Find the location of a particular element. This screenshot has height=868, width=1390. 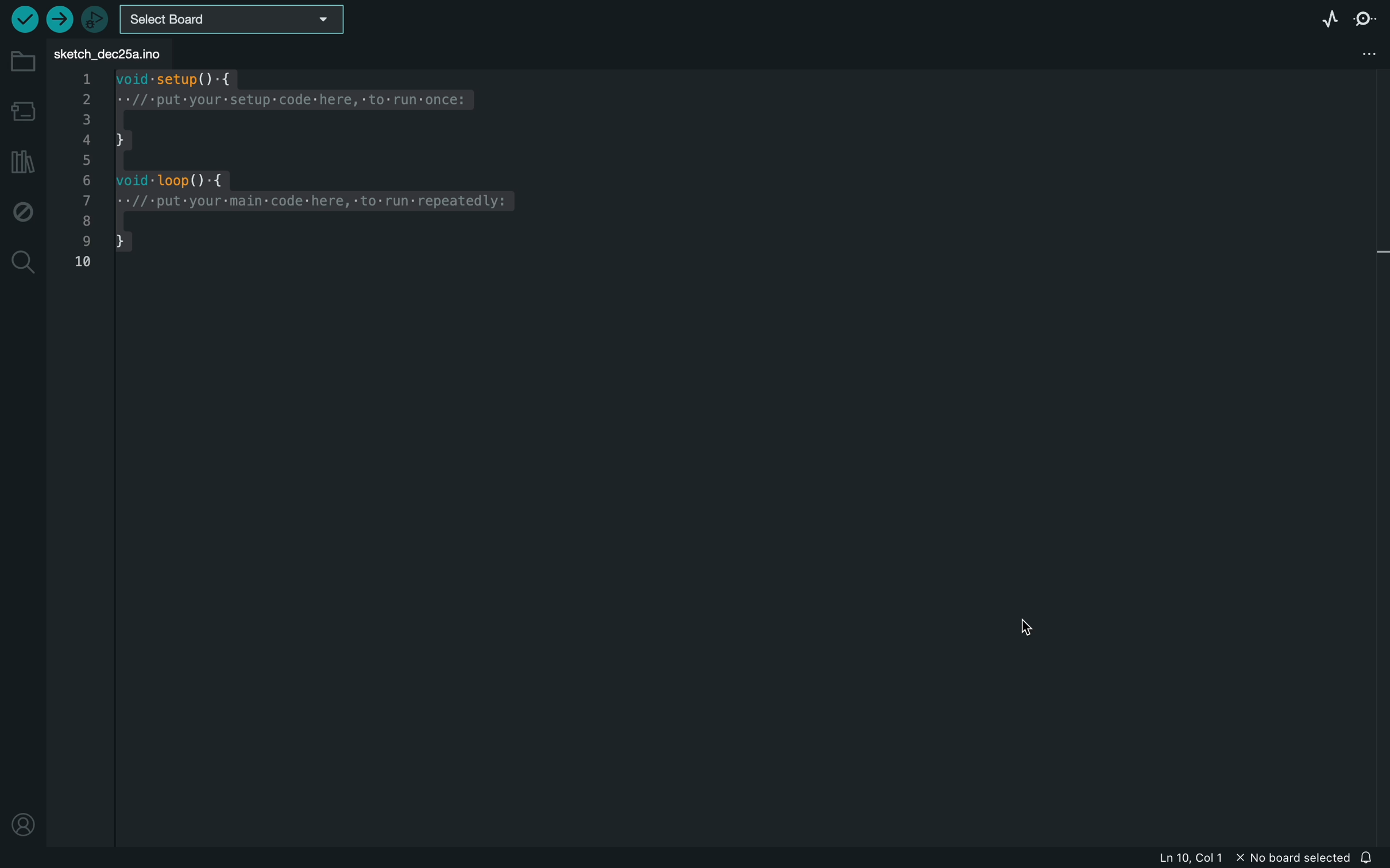

search is located at coordinates (22, 261).